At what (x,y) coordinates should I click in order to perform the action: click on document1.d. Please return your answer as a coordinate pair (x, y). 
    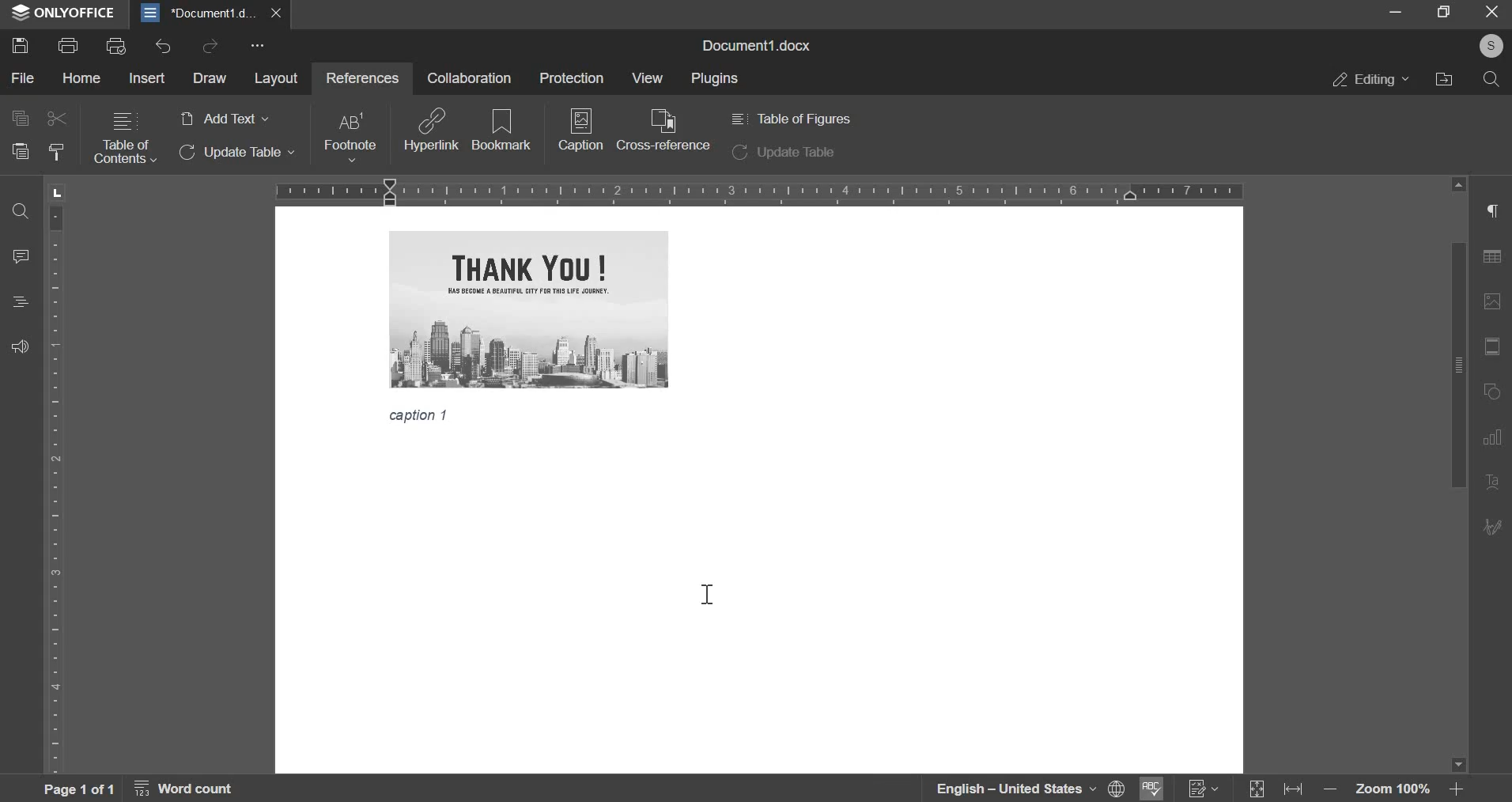
    Looking at the image, I should click on (201, 13).